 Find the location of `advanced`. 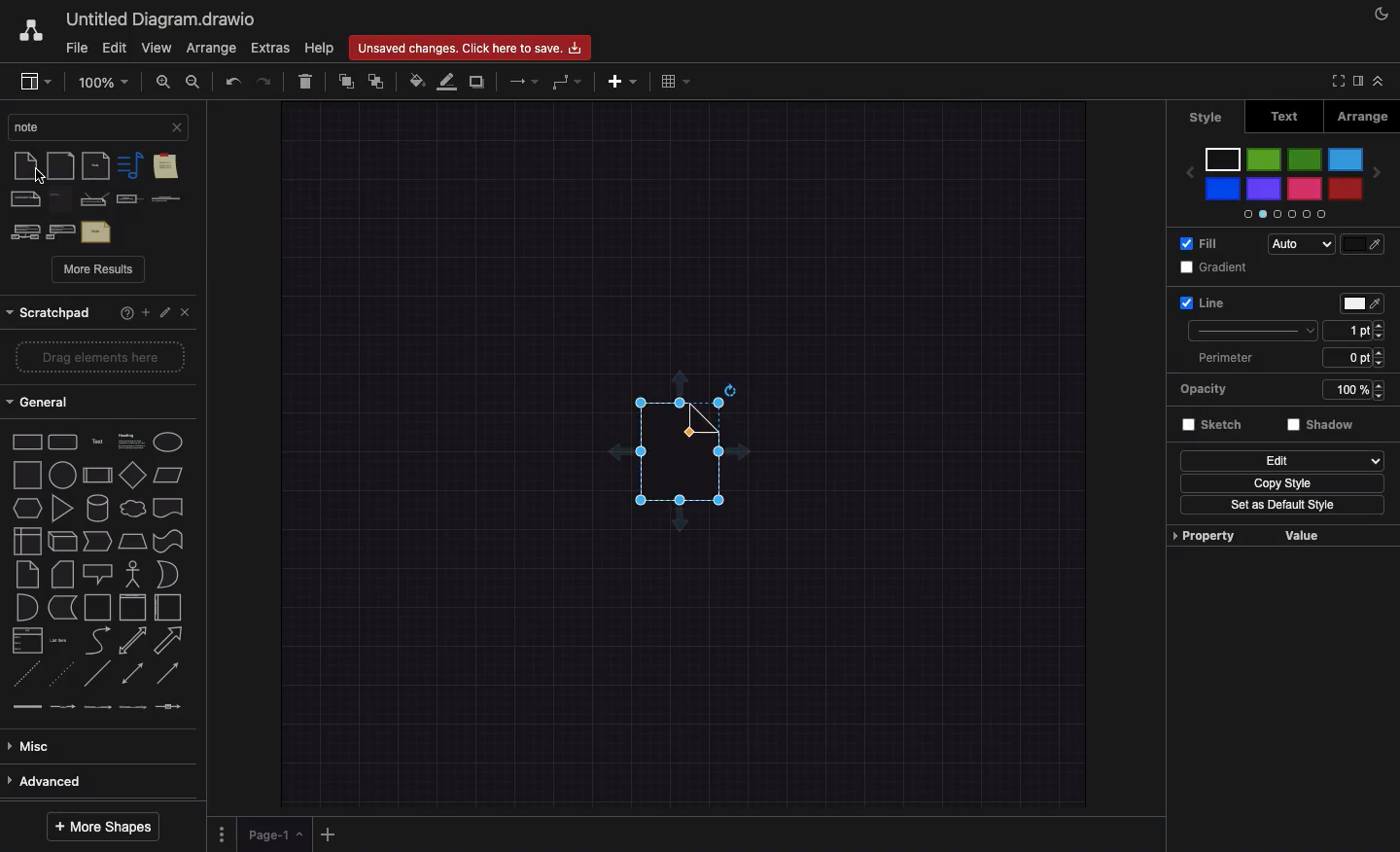

advanced is located at coordinates (90, 781).